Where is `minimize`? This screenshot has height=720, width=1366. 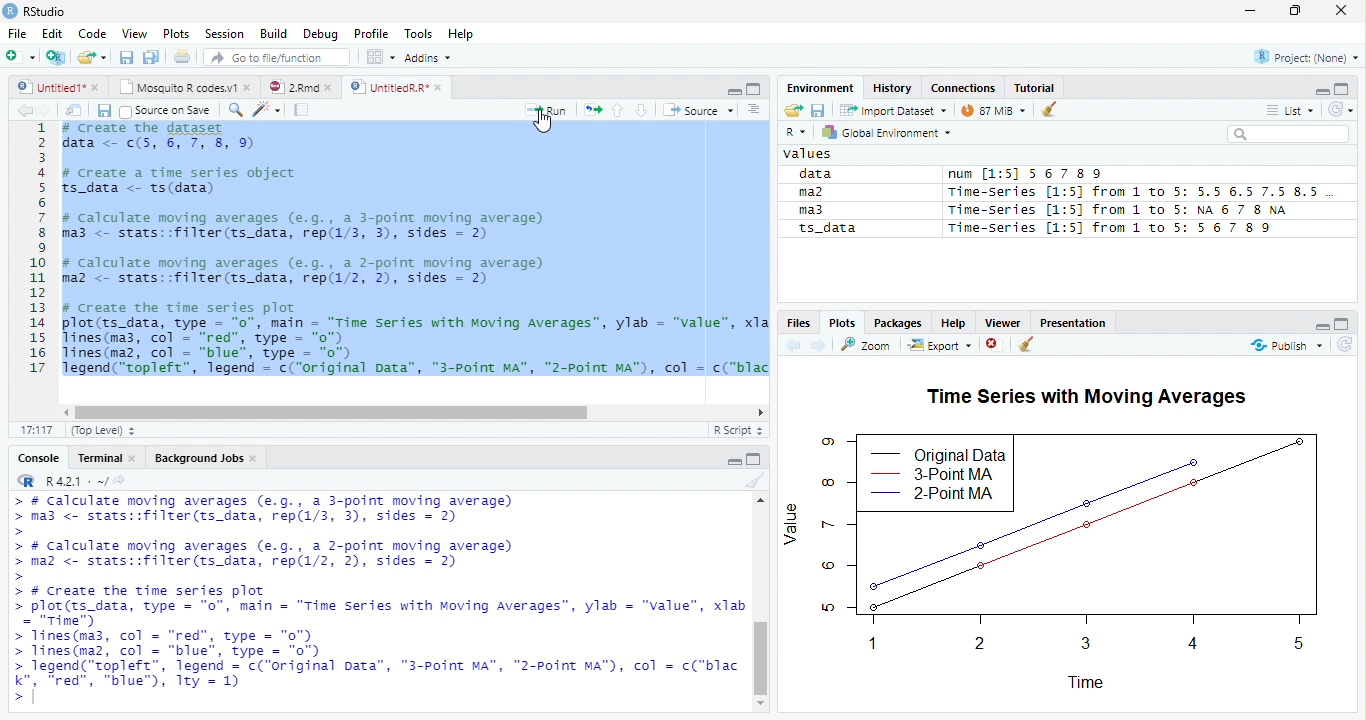 minimize is located at coordinates (1323, 329).